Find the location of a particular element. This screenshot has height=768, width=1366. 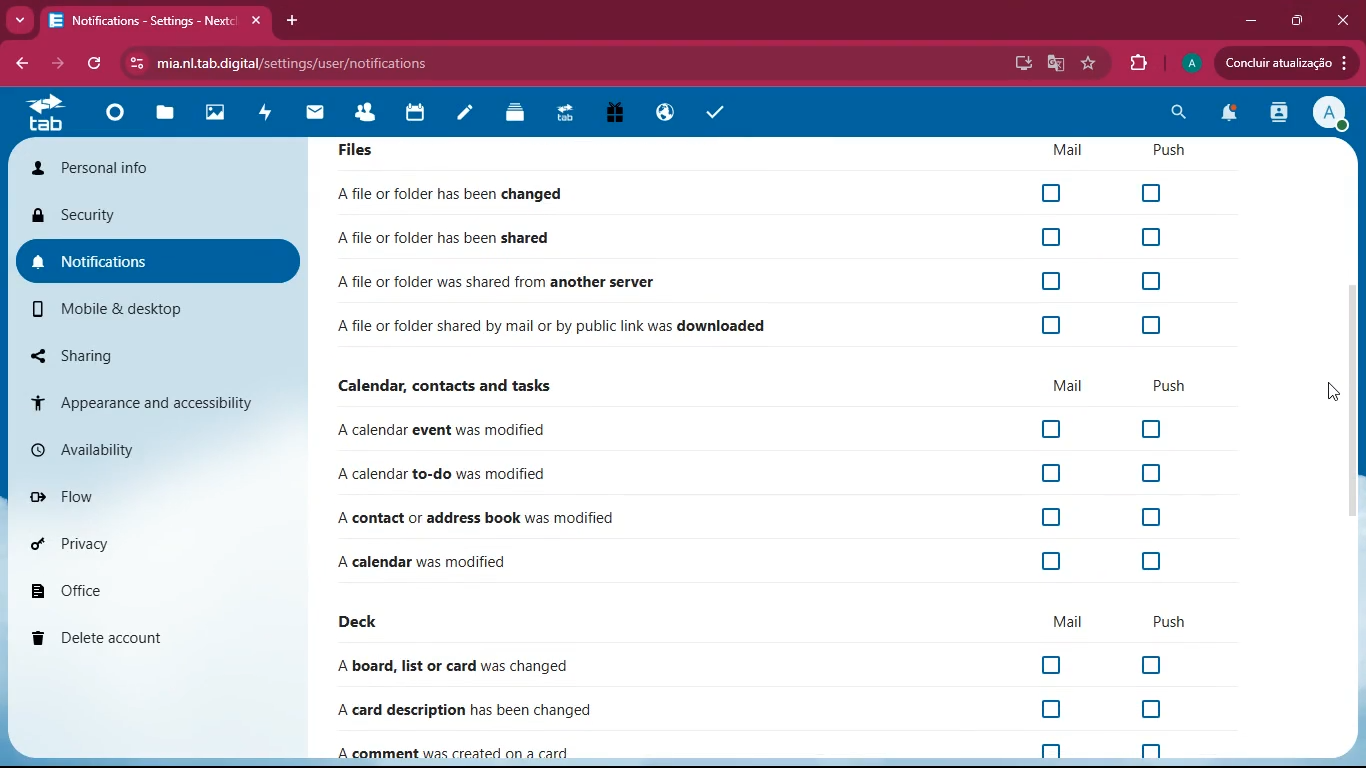

off is located at coordinates (1054, 668).